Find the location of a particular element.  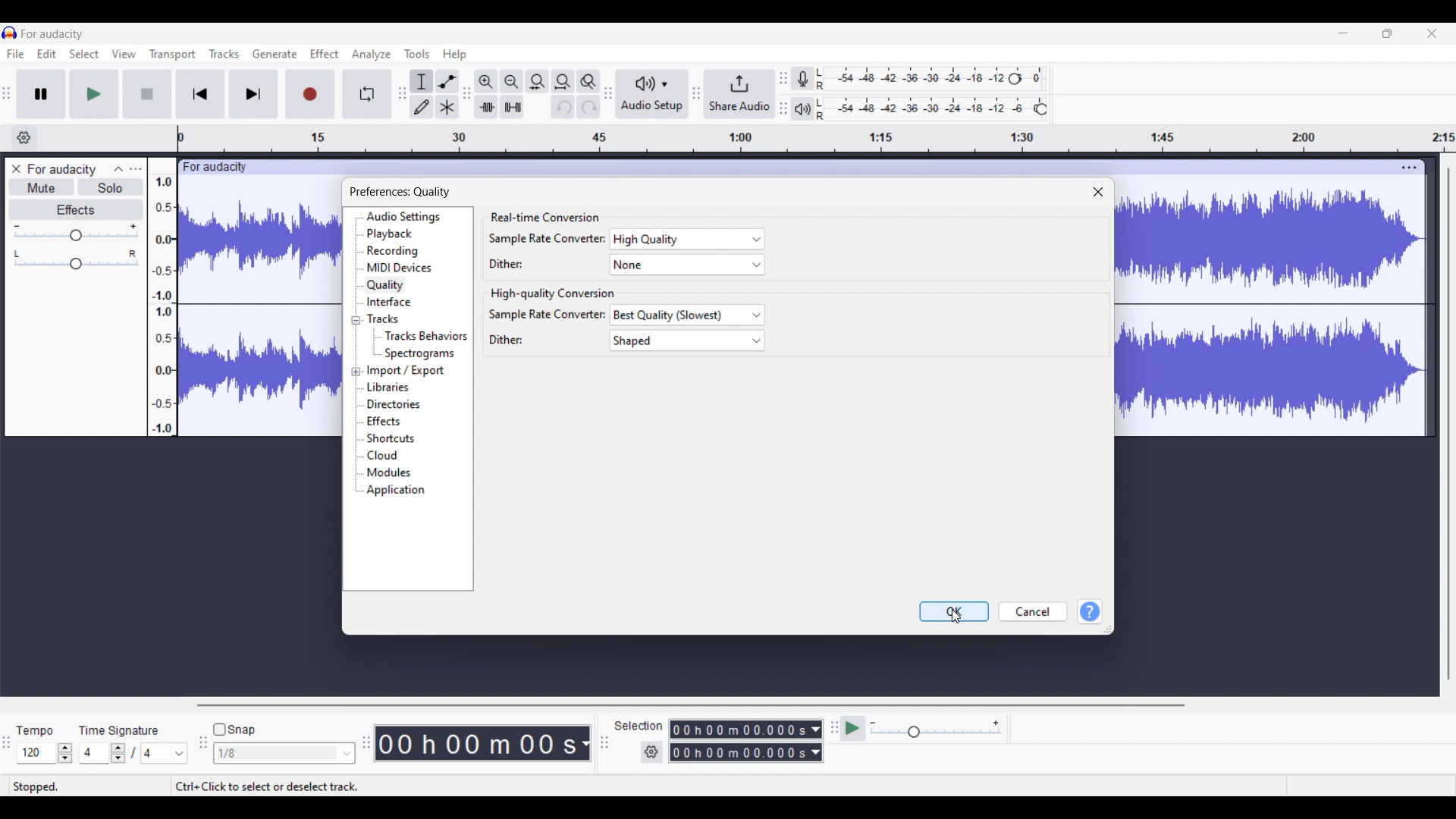

Vertical slide bar is located at coordinates (1448, 425).